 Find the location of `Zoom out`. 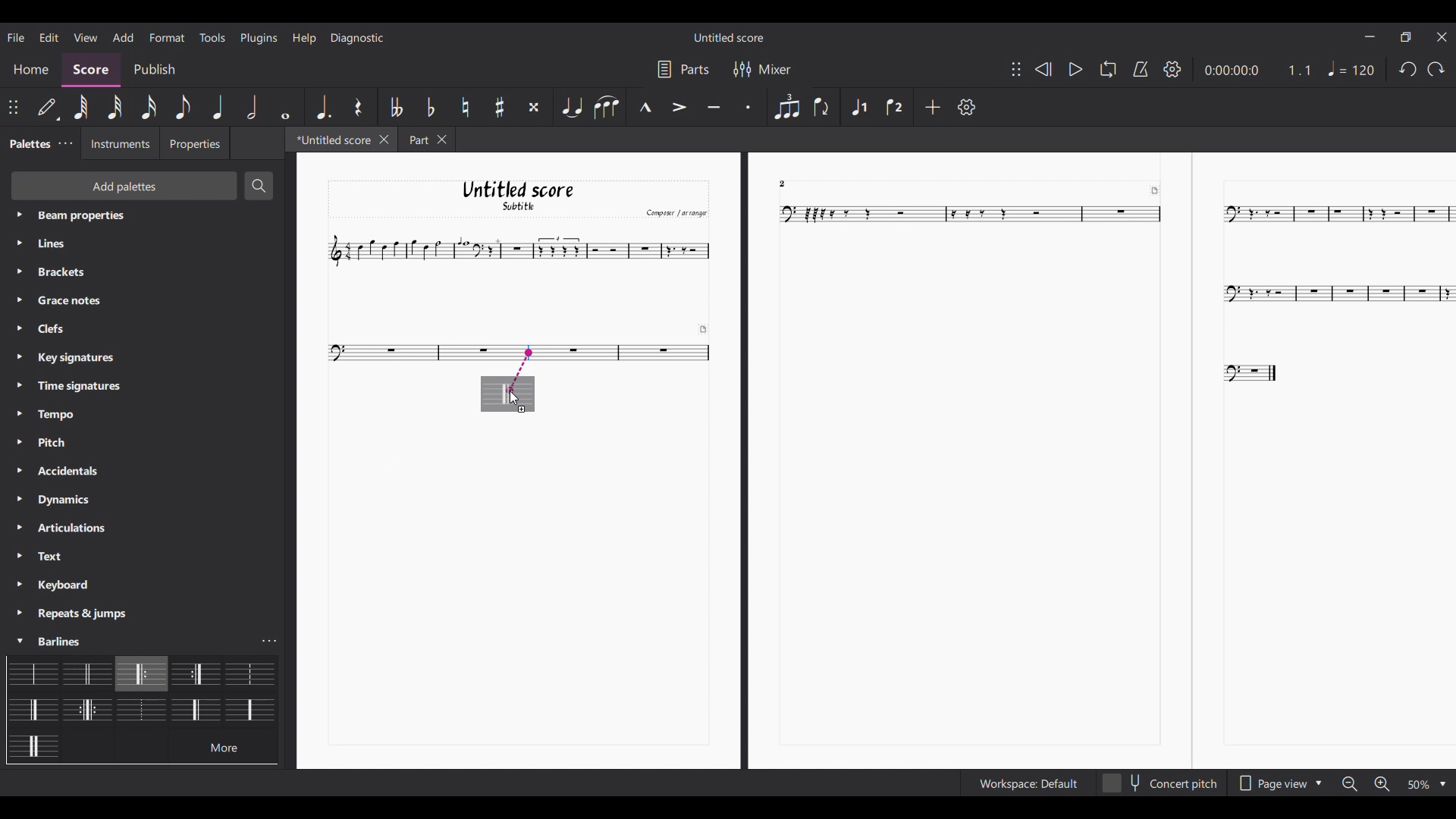

Zoom out is located at coordinates (1349, 784).